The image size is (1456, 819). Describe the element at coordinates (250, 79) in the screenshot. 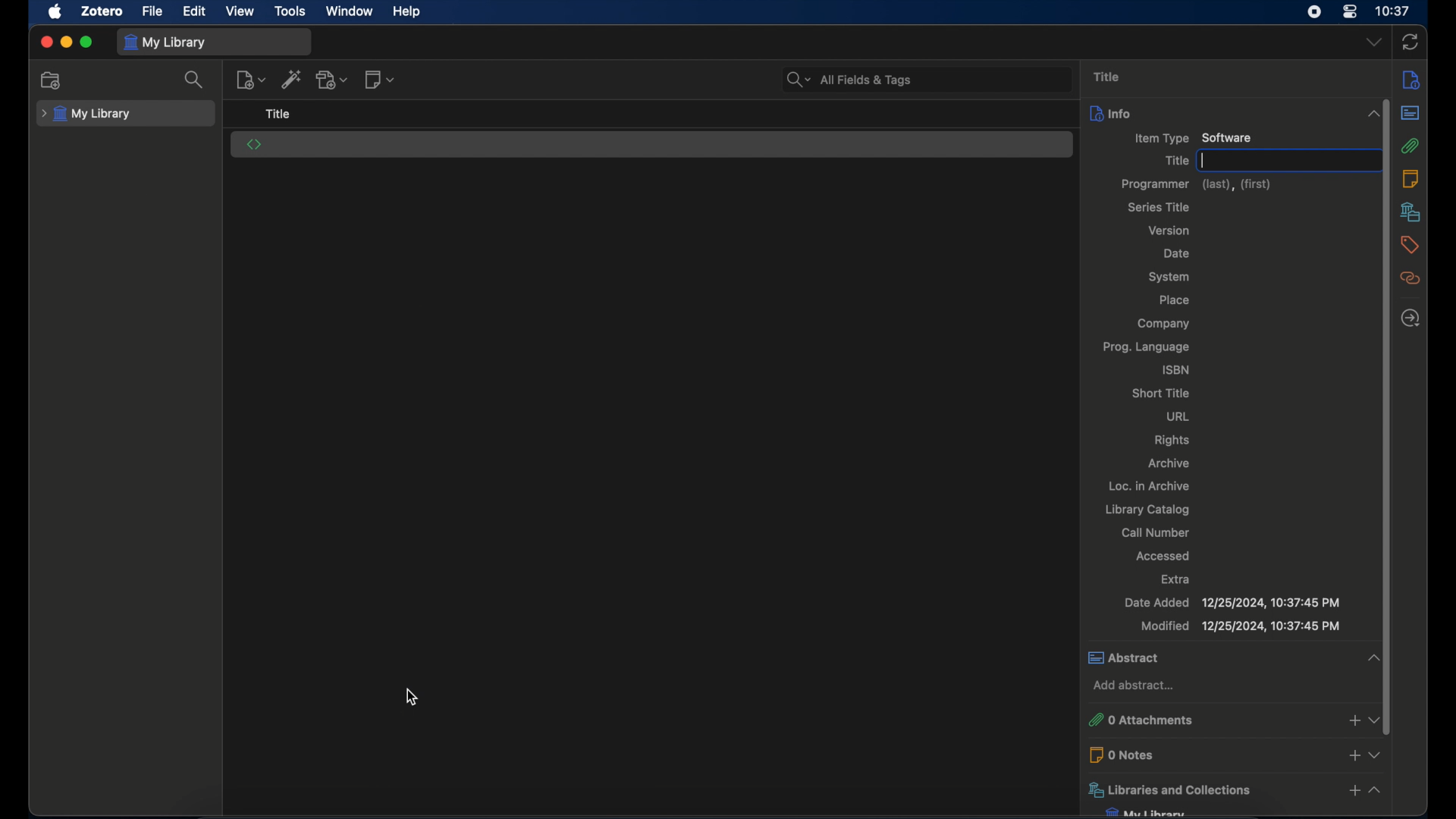

I see `new item` at that location.